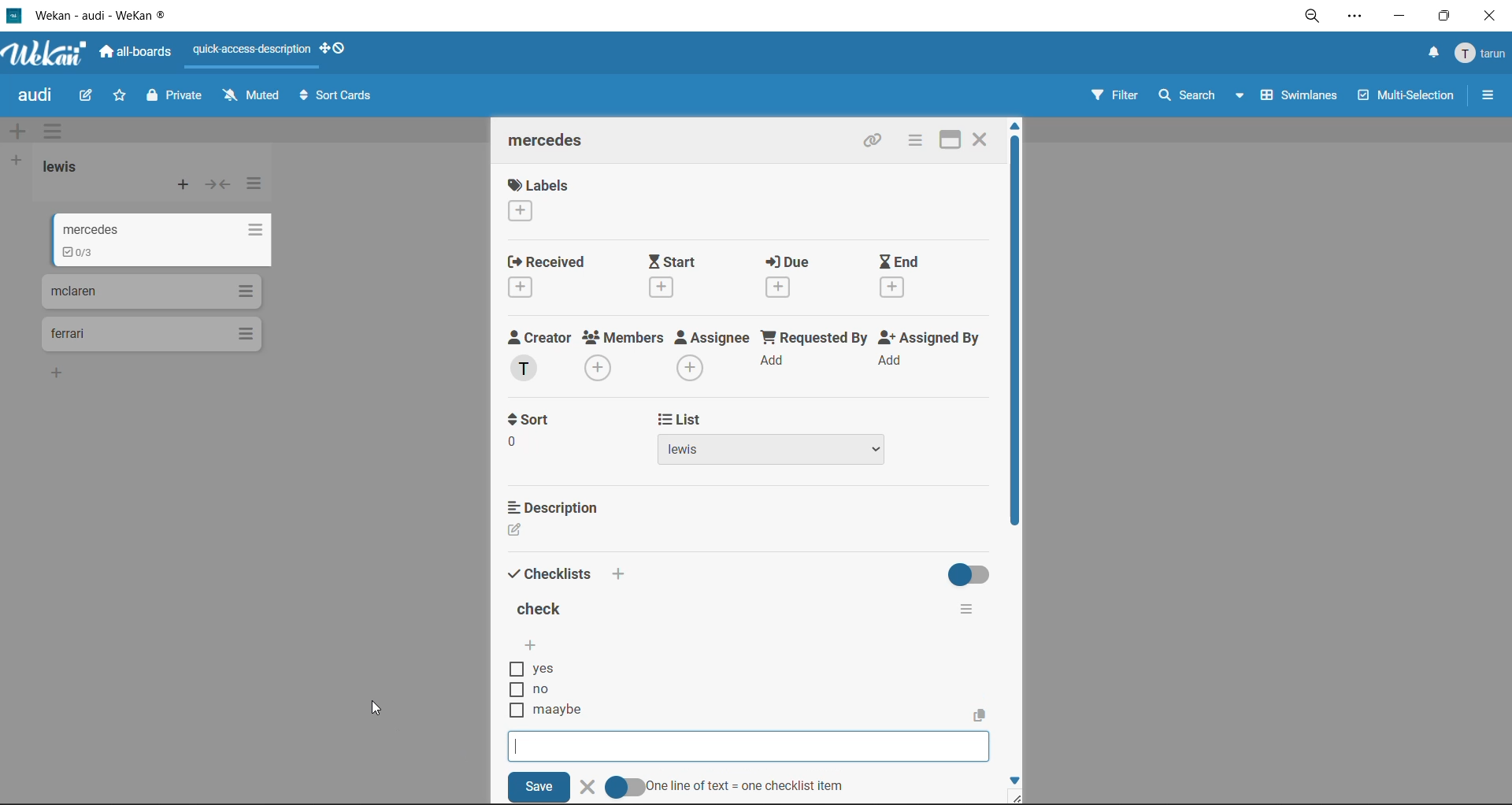 The height and width of the screenshot is (805, 1512). What do you see at coordinates (588, 786) in the screenshot?
I see `delete` at bounding box center [588, 786].